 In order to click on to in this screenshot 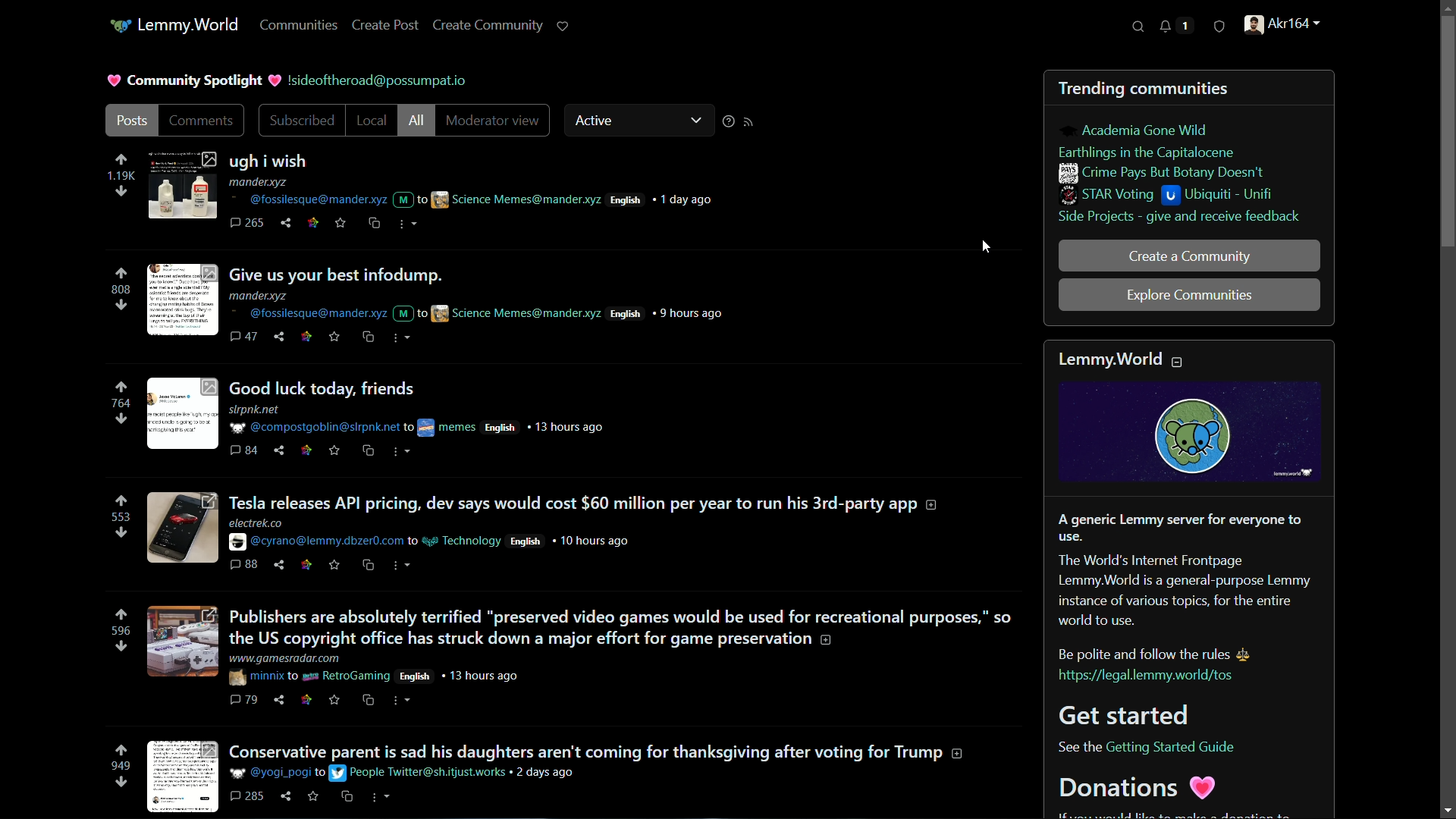, I will do `click(413, 542)`.